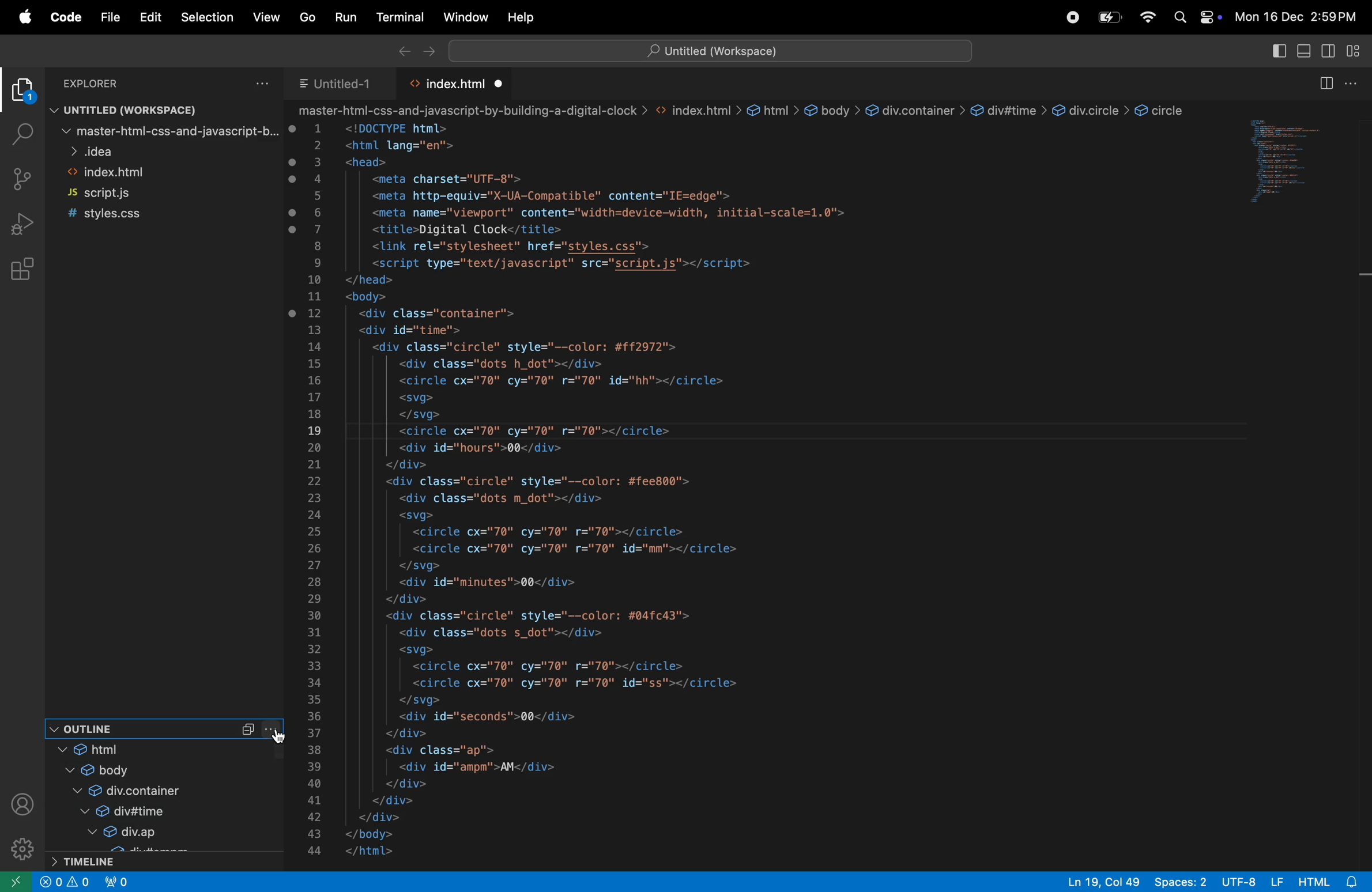 The image size is (1372, 892). What do you see at coordinates (152, 108) in the screenshot?
I see `untitled workspace` at bounding box center [152, 108].